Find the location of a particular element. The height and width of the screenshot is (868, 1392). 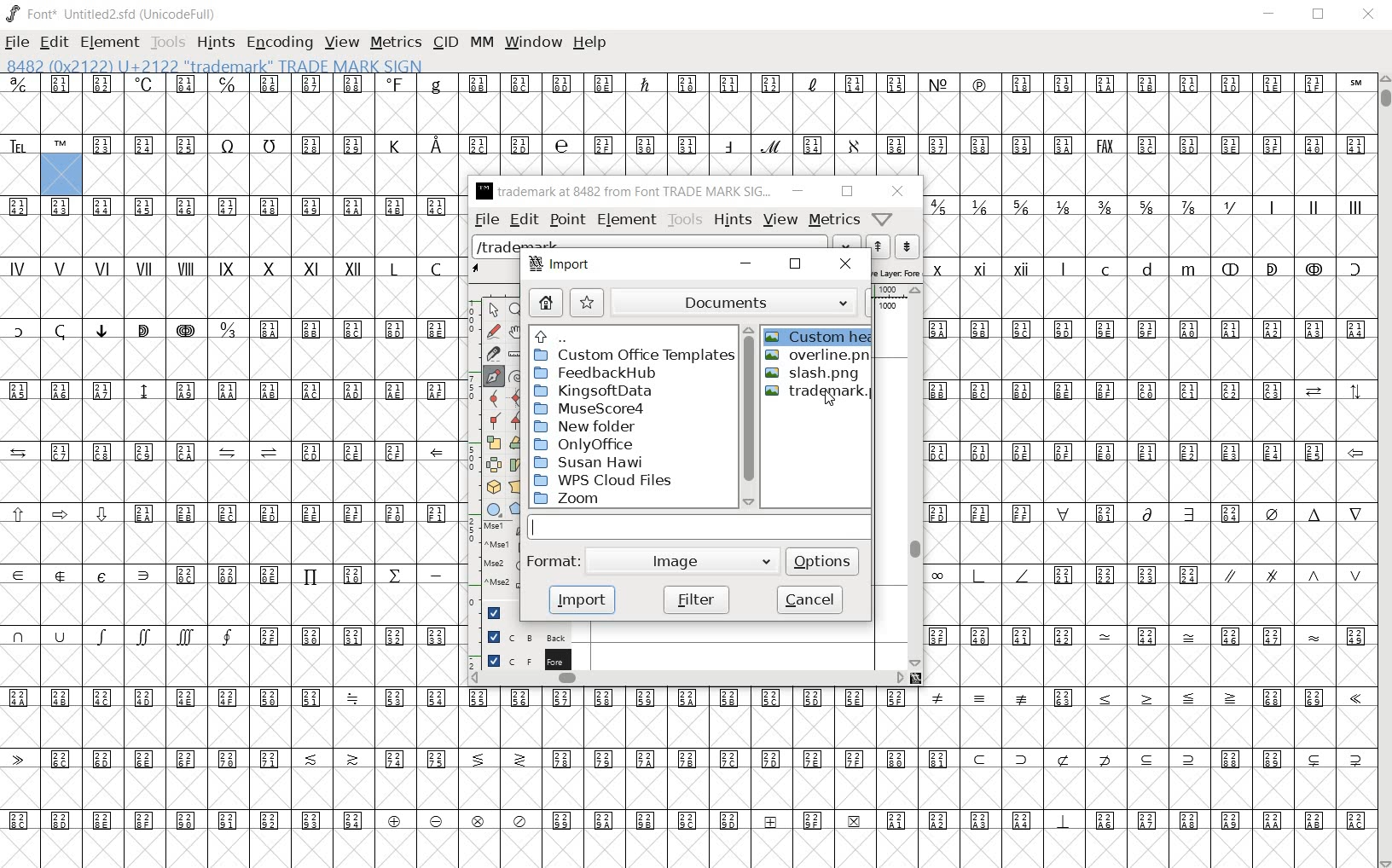

hints is located at coordinates (734, 220).